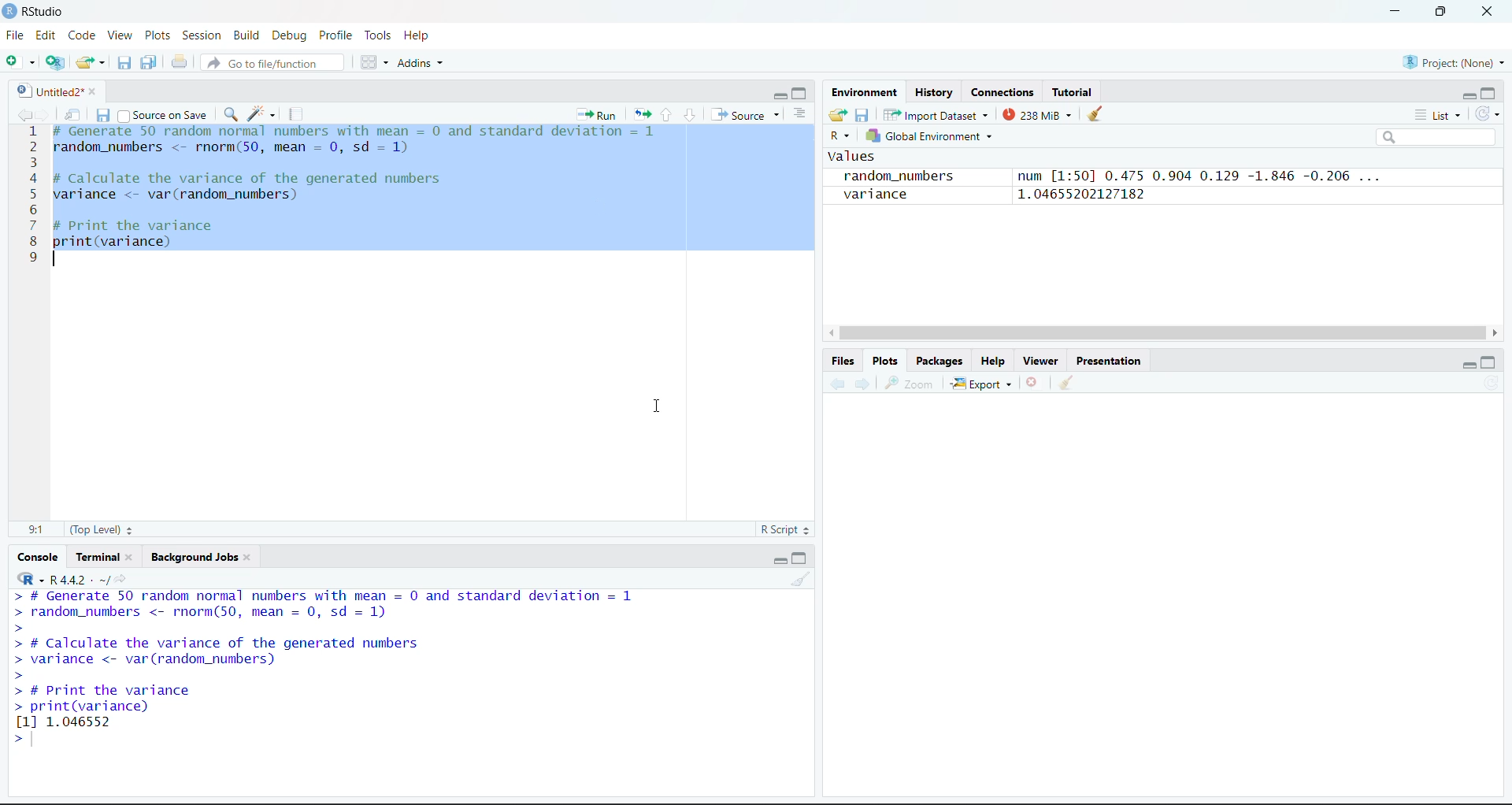 The width and height of the screenshot is (1512, 805). I want to click on search file, so click(271, 63).